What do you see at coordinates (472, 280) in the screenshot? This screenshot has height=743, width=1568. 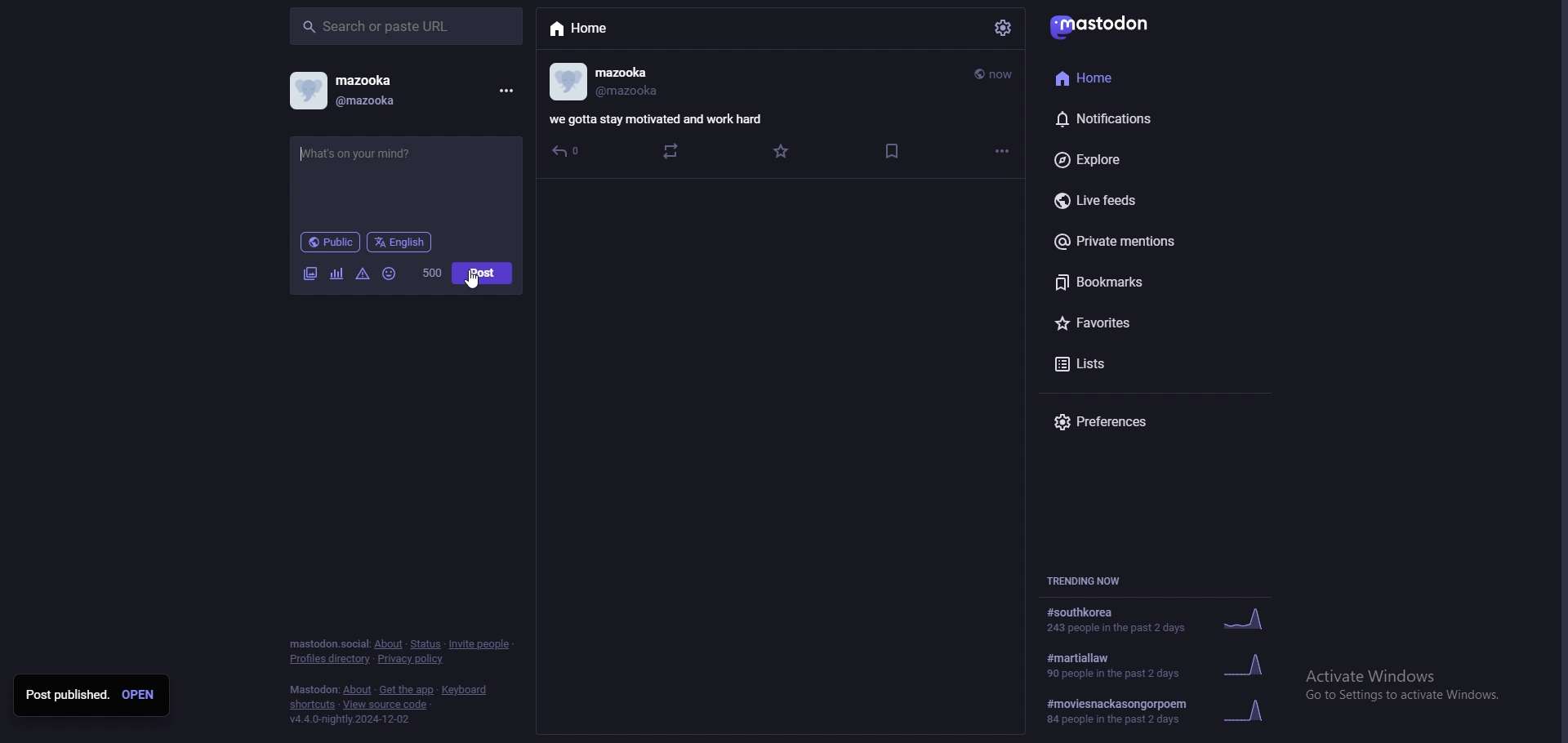 I see `cursor` at bounding box center [472, 280].